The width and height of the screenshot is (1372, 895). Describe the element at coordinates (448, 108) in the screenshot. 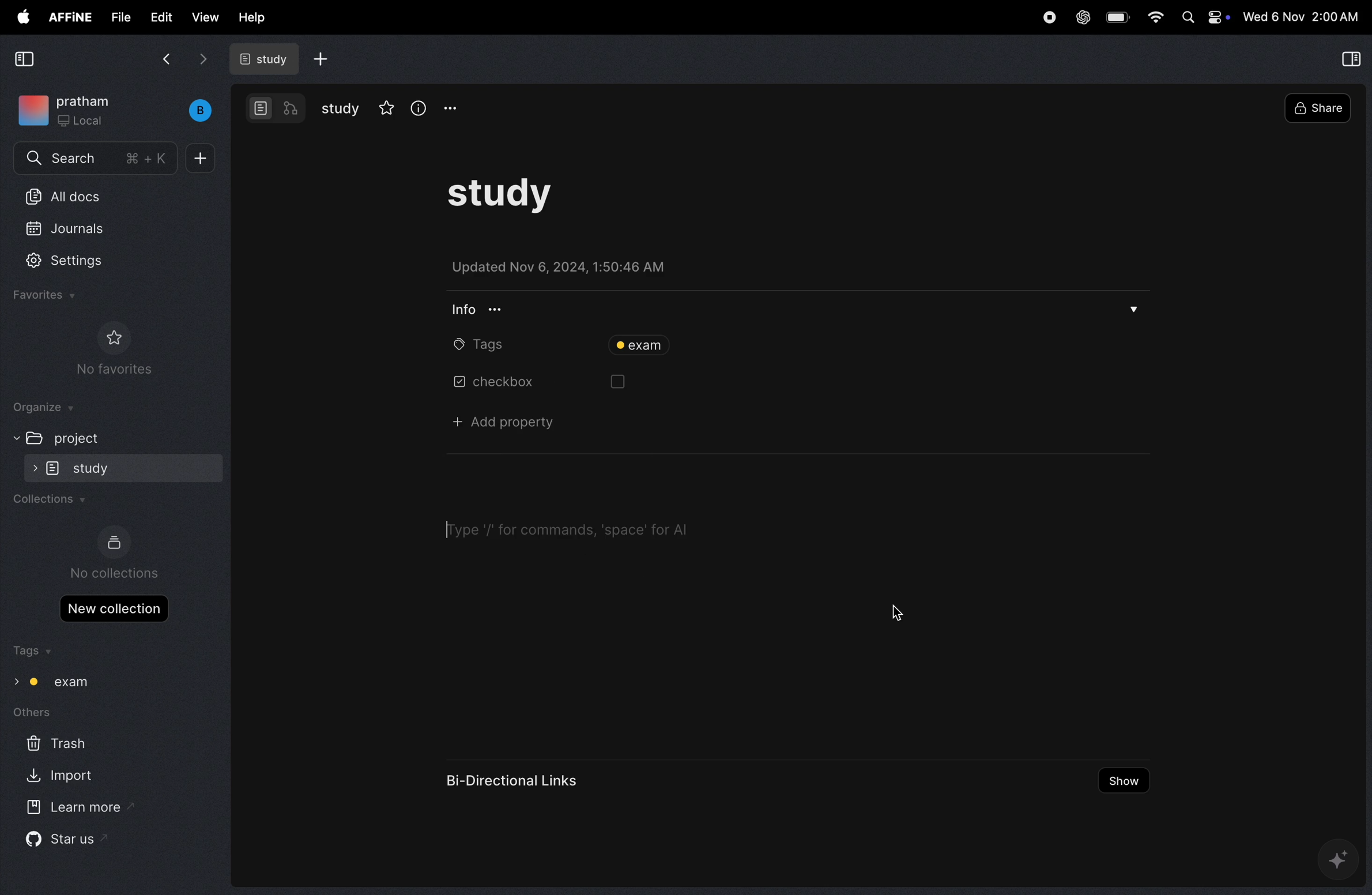

I see `options` at that location.